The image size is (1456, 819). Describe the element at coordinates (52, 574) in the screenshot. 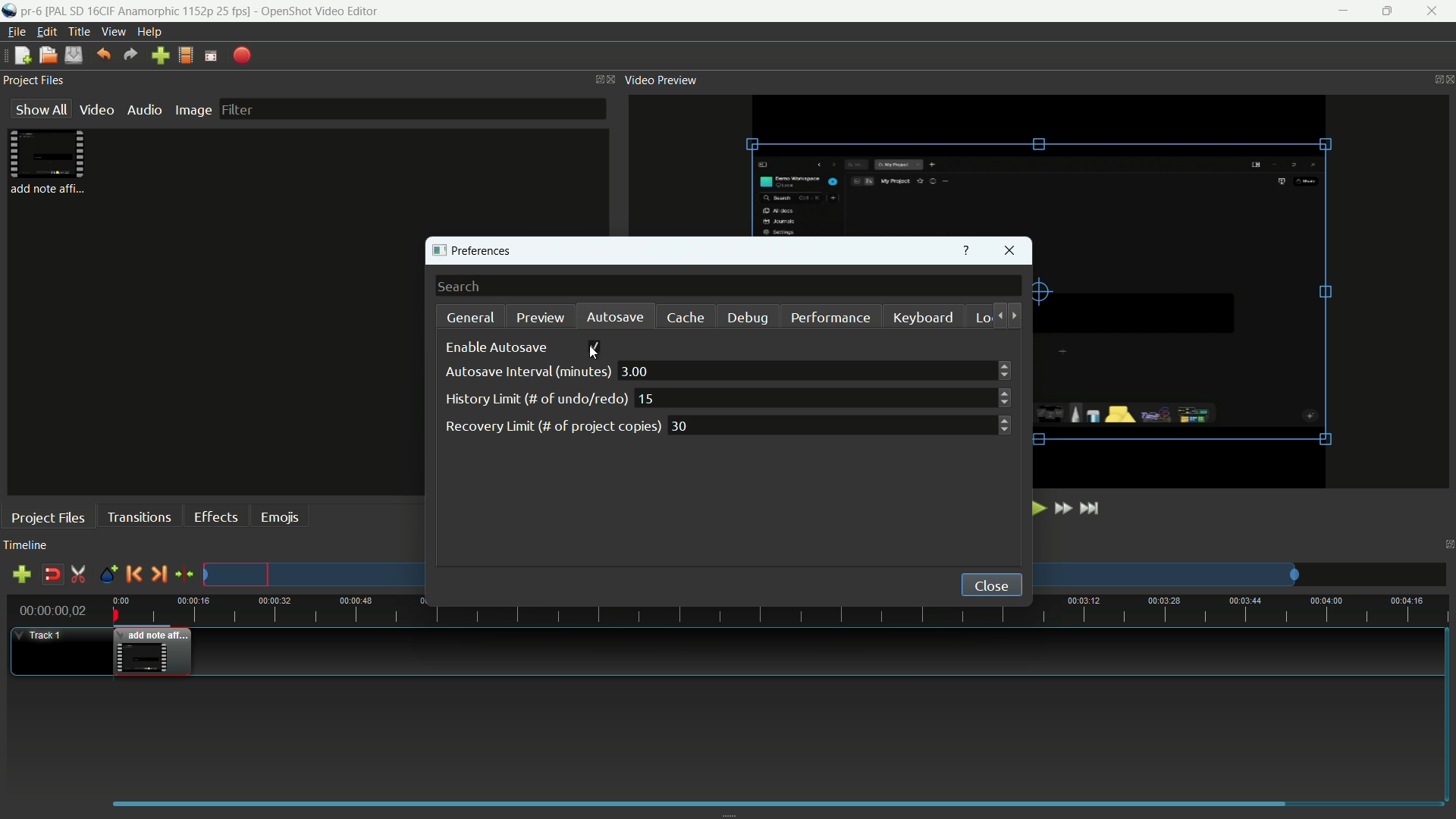

I see `disable snap` at that location.